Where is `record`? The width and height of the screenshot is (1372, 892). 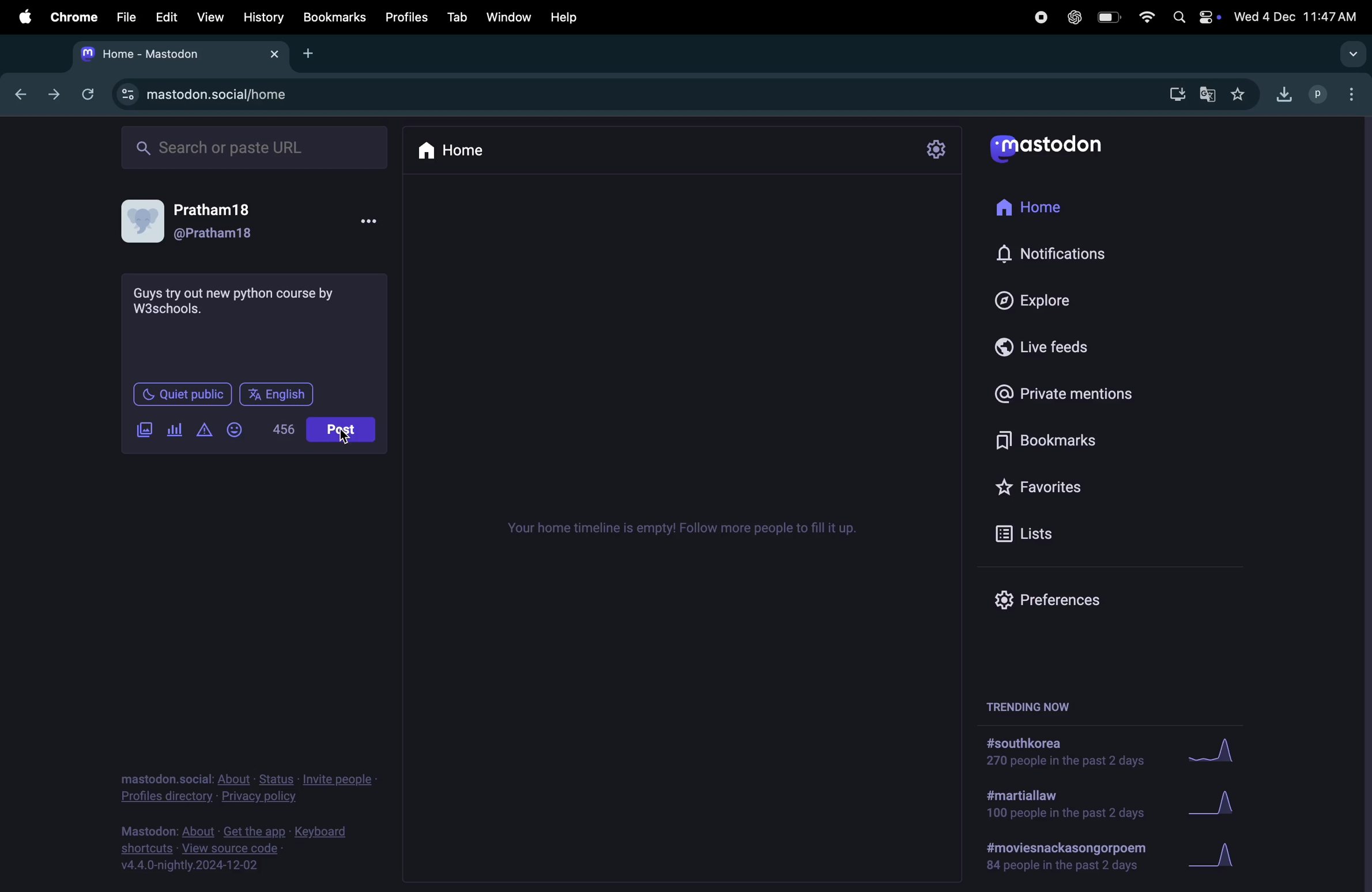
record is located at coordinates (1039, 17).